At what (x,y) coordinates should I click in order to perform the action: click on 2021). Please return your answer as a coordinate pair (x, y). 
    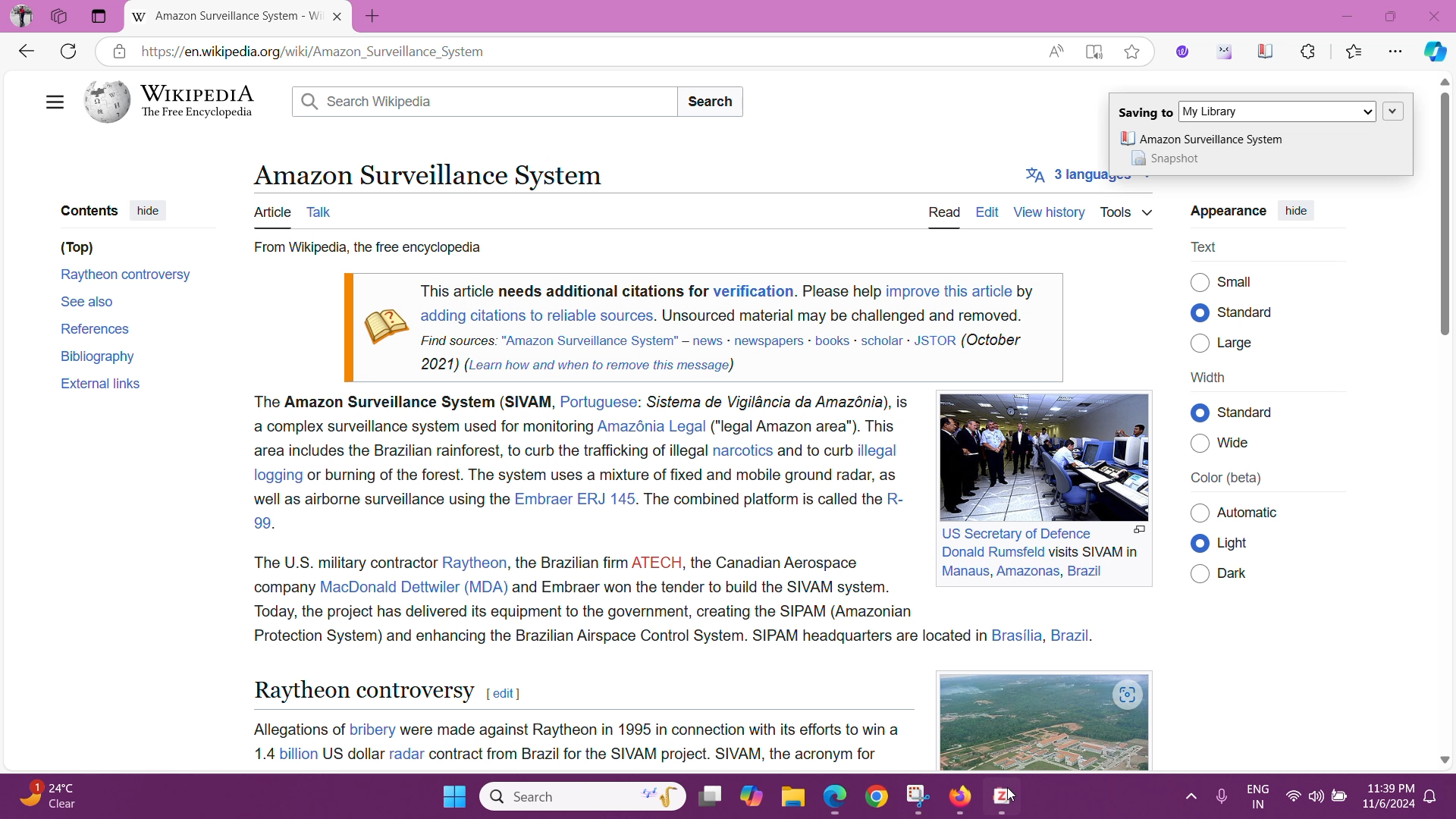
    Looking at the image, I should click on (441, 363).